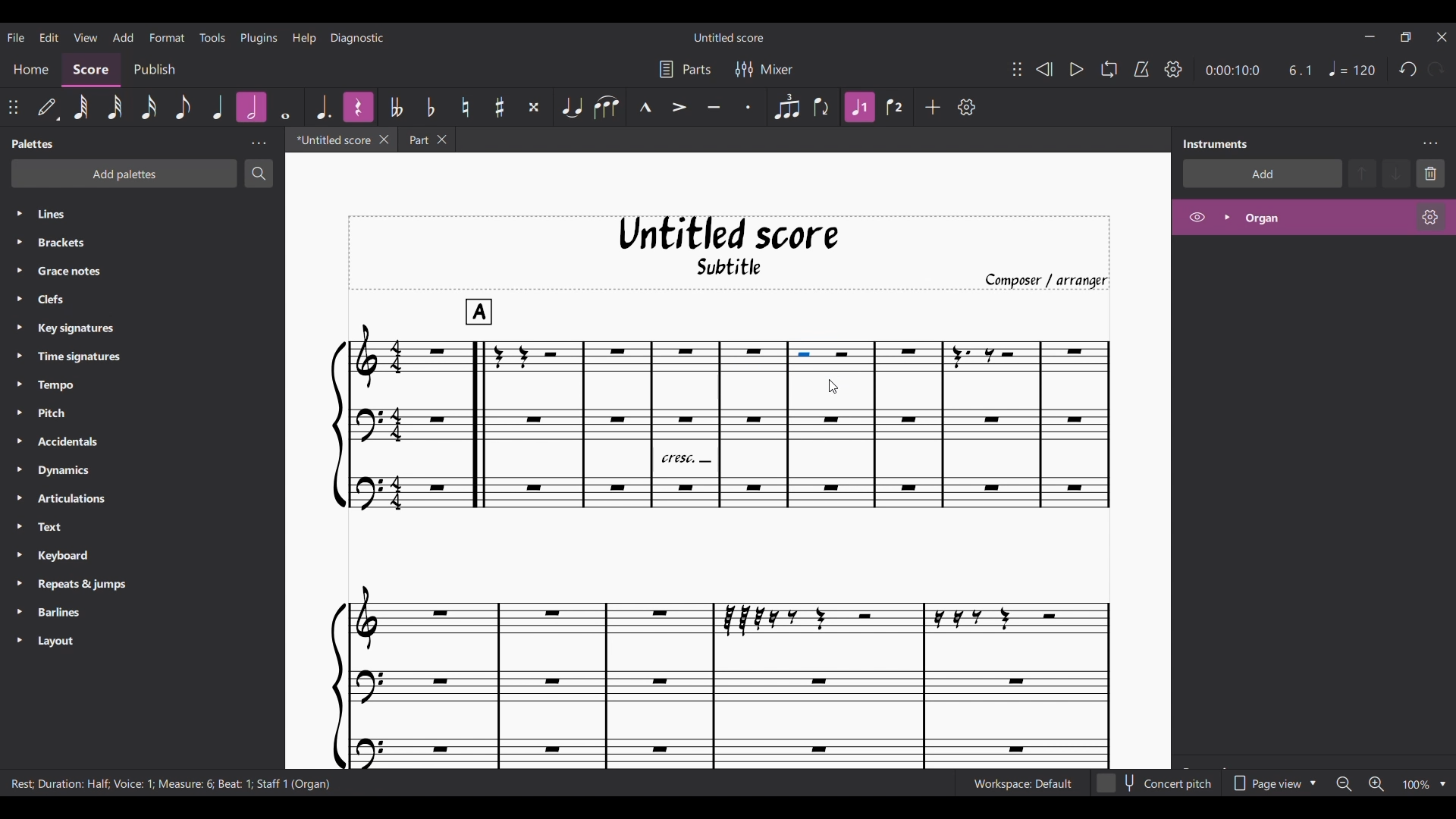 The height and width of the screenshot is (819, 1456). I want to click on Expand Organ, so click(1225, 218).